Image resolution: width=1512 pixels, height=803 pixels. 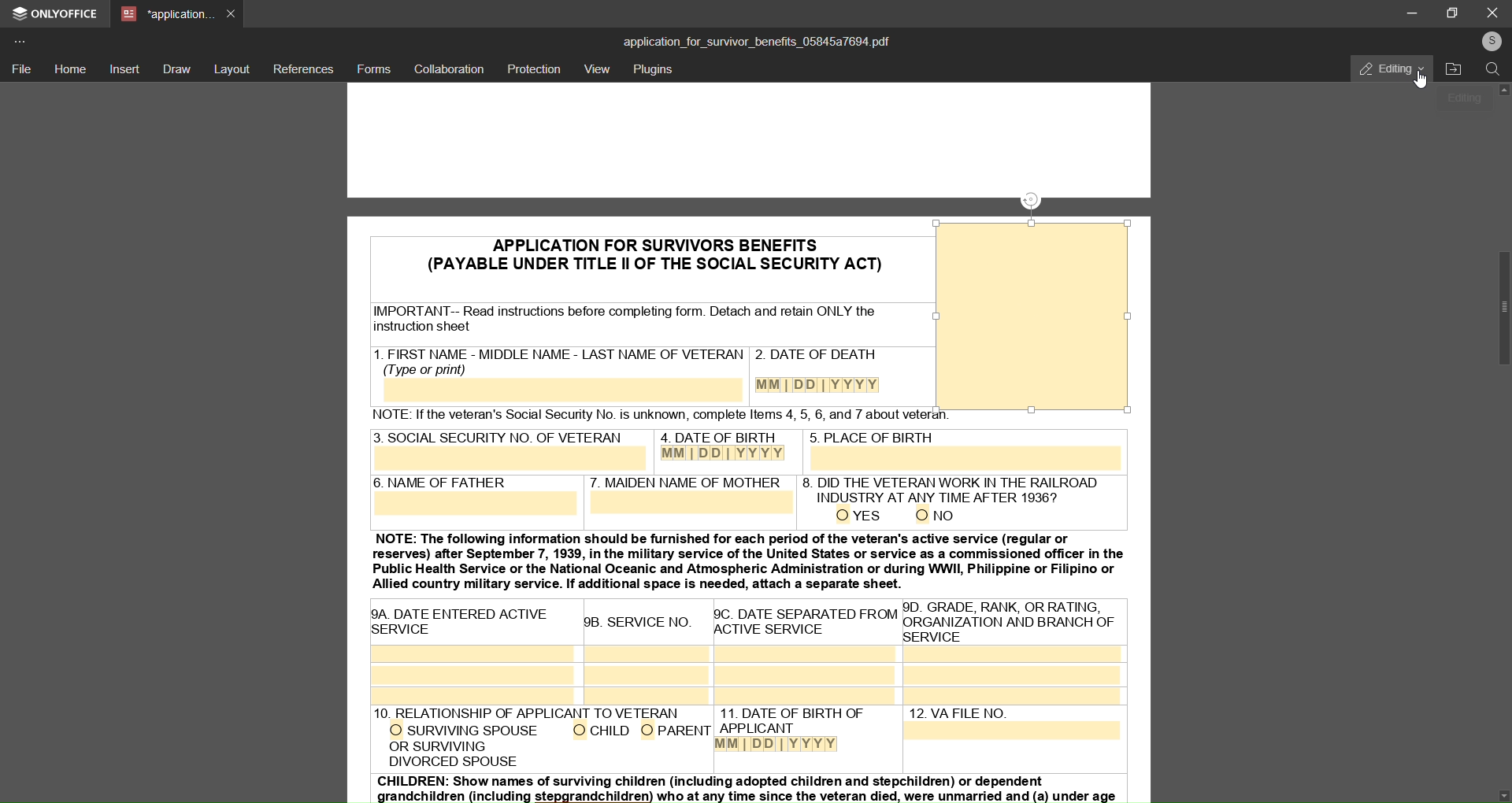 What do you see at coordinates (1423, 83) in the screenshot?
I see `cursor` at bounding box center [1423, 83].